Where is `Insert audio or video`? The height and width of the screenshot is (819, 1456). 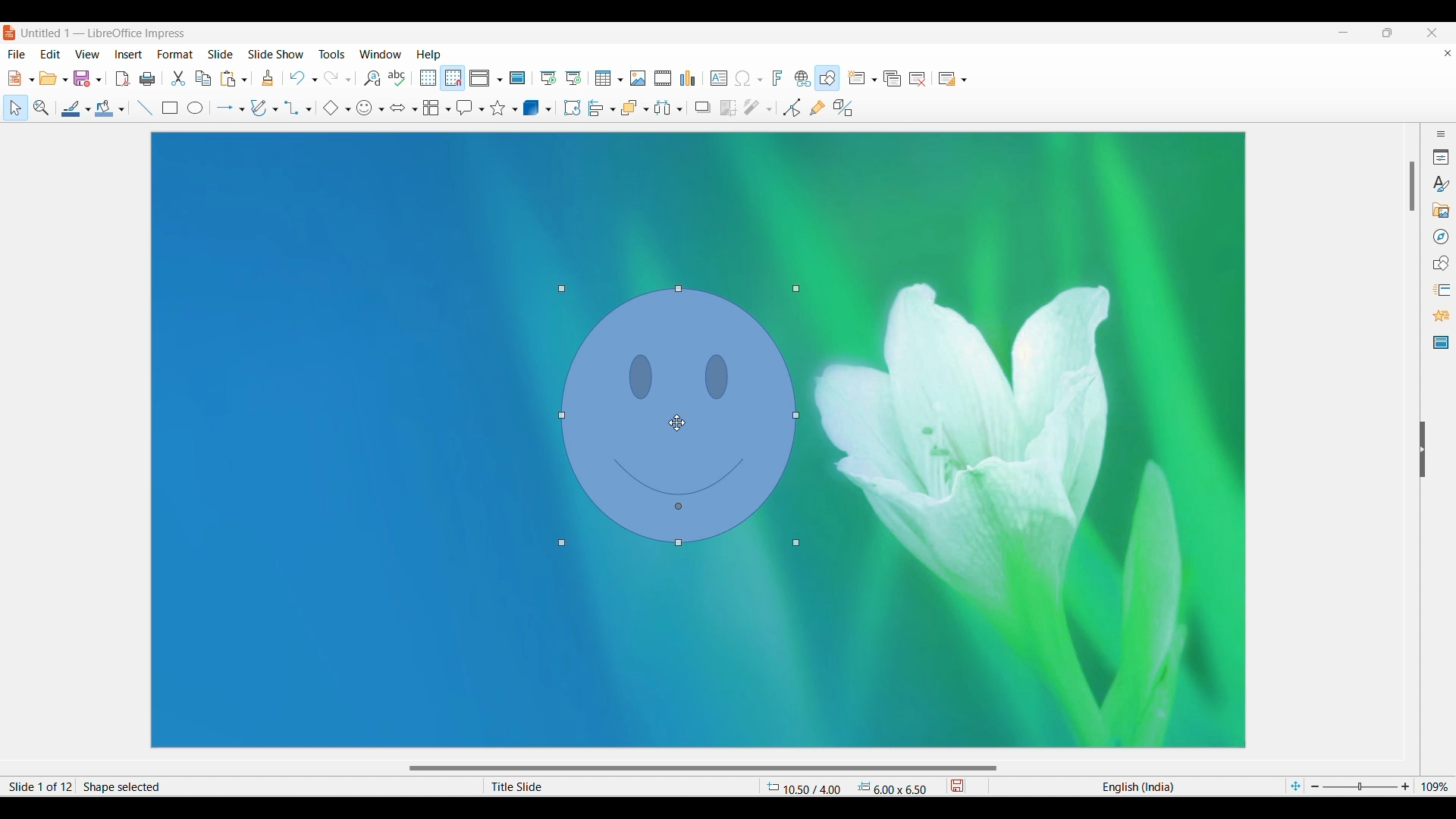
Insert audio or video is located at coordinates (664, 78).